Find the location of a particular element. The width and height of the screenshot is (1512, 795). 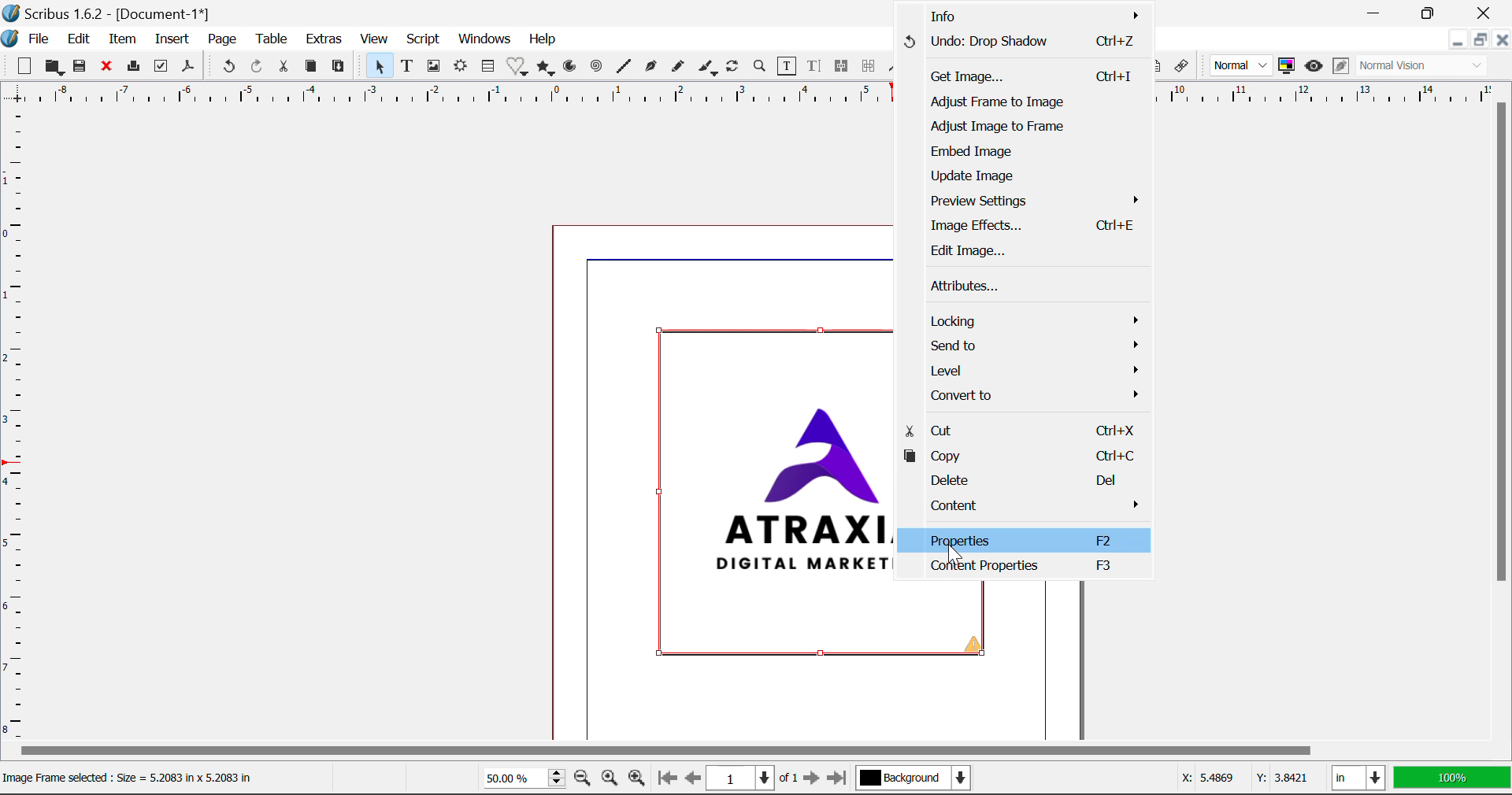

Preview is located at coordinates (1314, 65).